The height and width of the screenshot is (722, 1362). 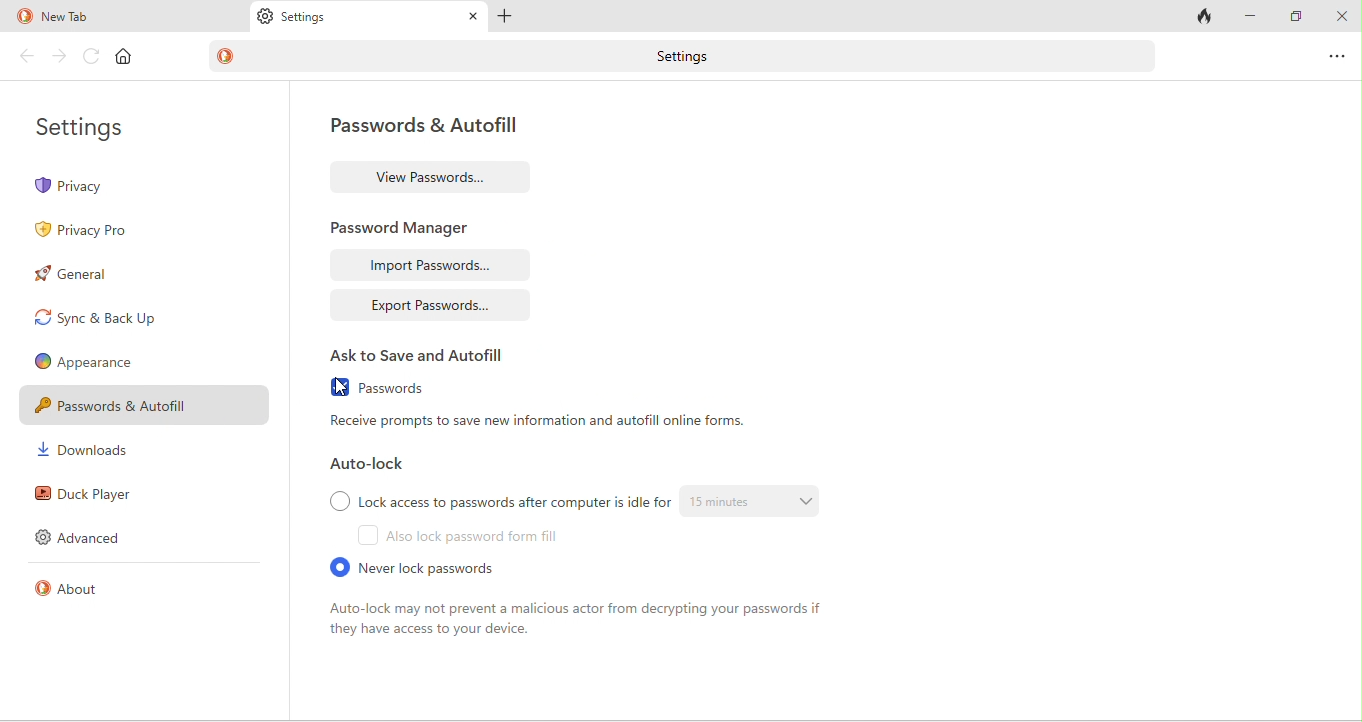 I want to click on import passwords, so click(x=435, y=266).